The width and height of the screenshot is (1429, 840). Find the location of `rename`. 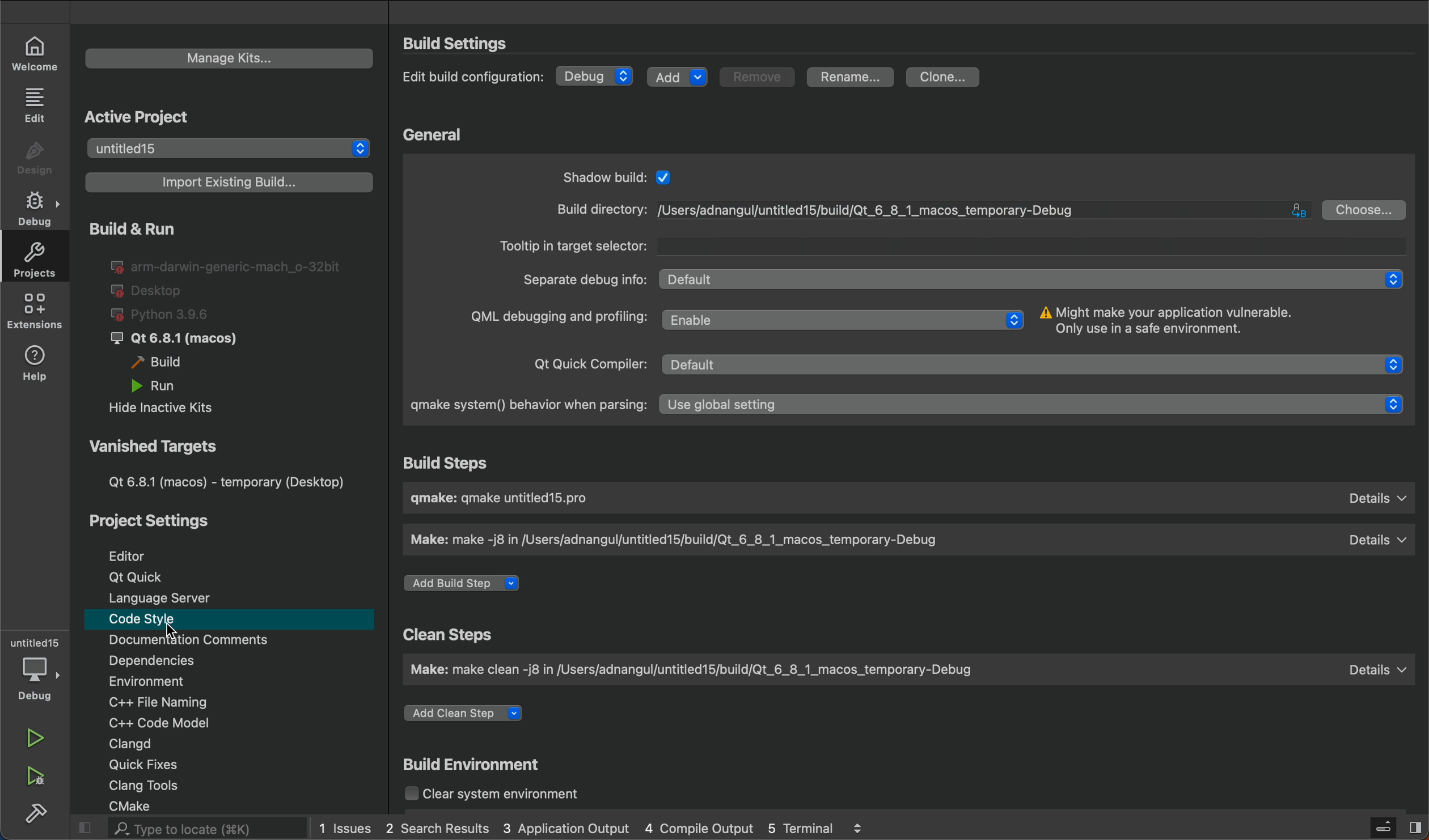

rename is located at coordinates (852, 78).